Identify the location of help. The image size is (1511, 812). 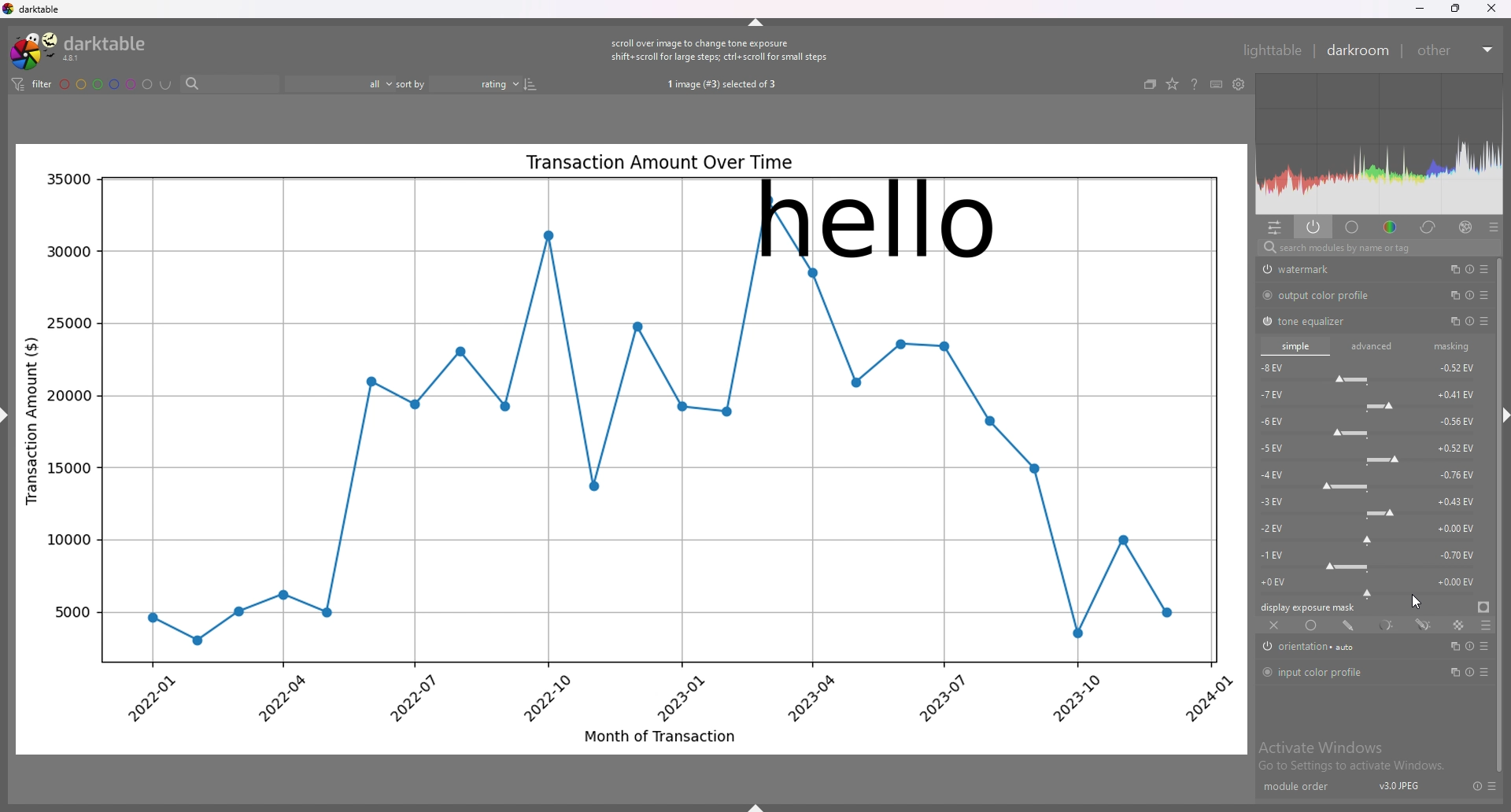
(1193, 85).